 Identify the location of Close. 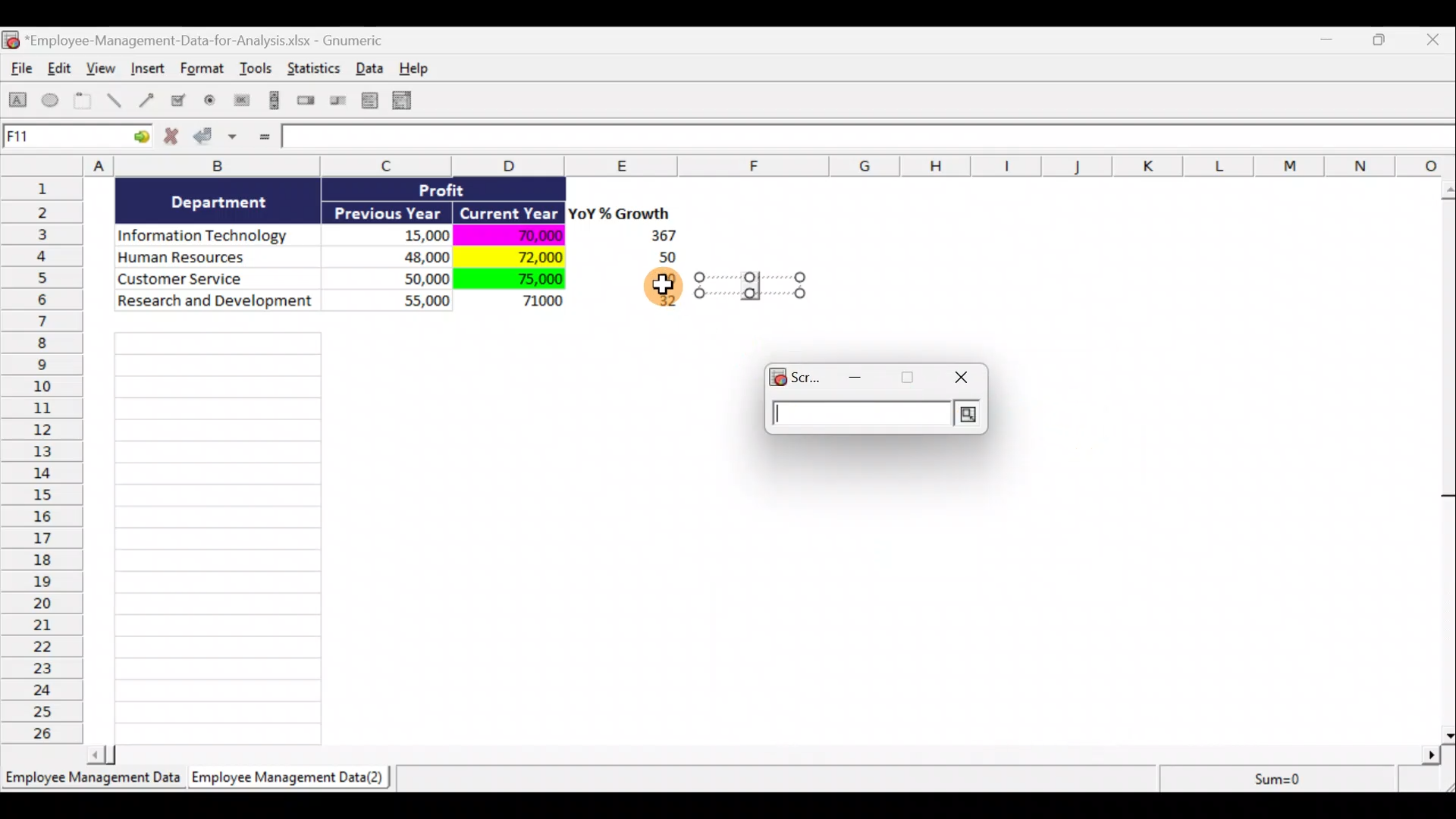
(1436, 41).